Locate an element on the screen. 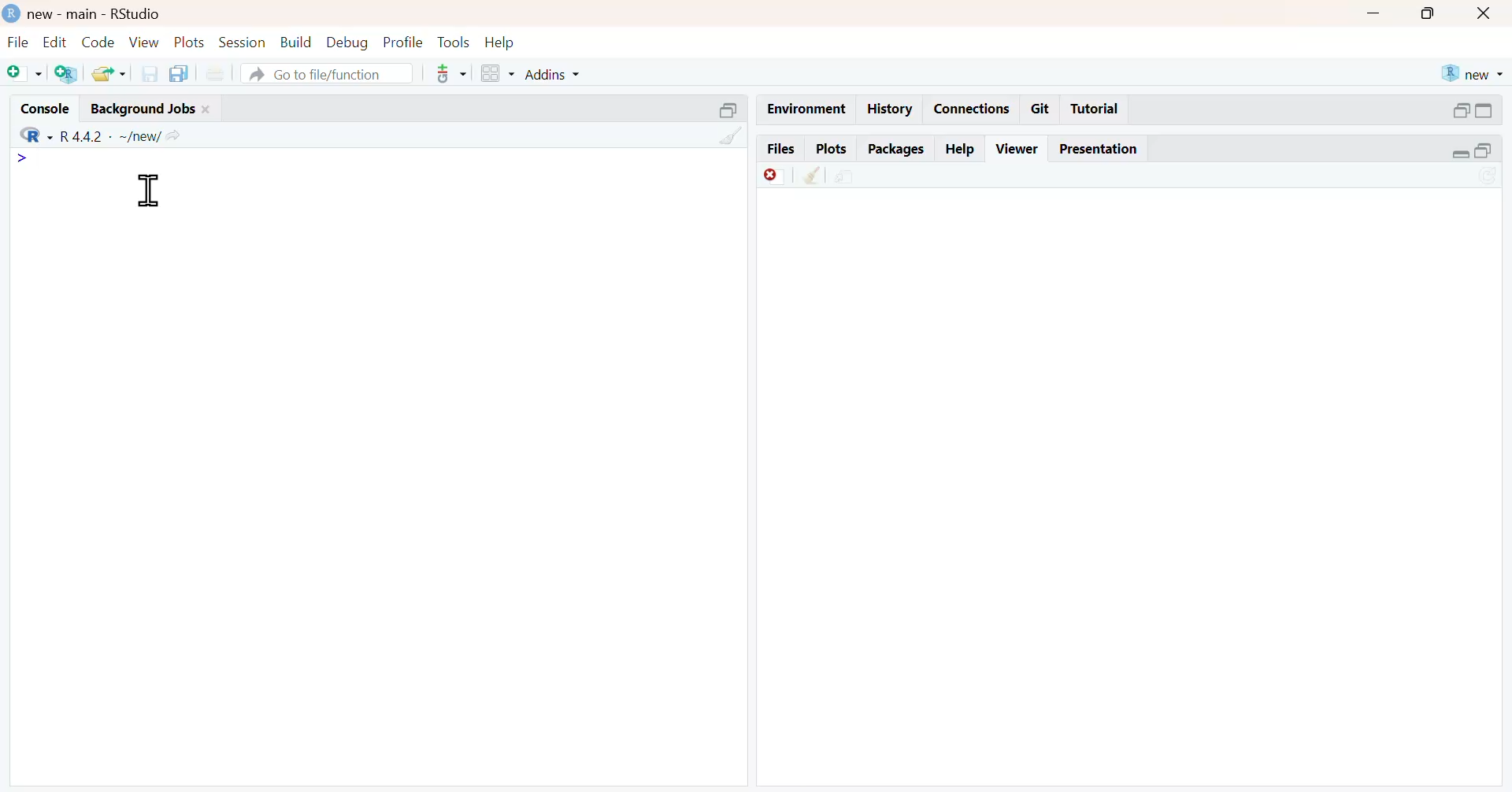 The width and height of the screenshot is (1512, 792). close is located at coordinates (1488, 13).